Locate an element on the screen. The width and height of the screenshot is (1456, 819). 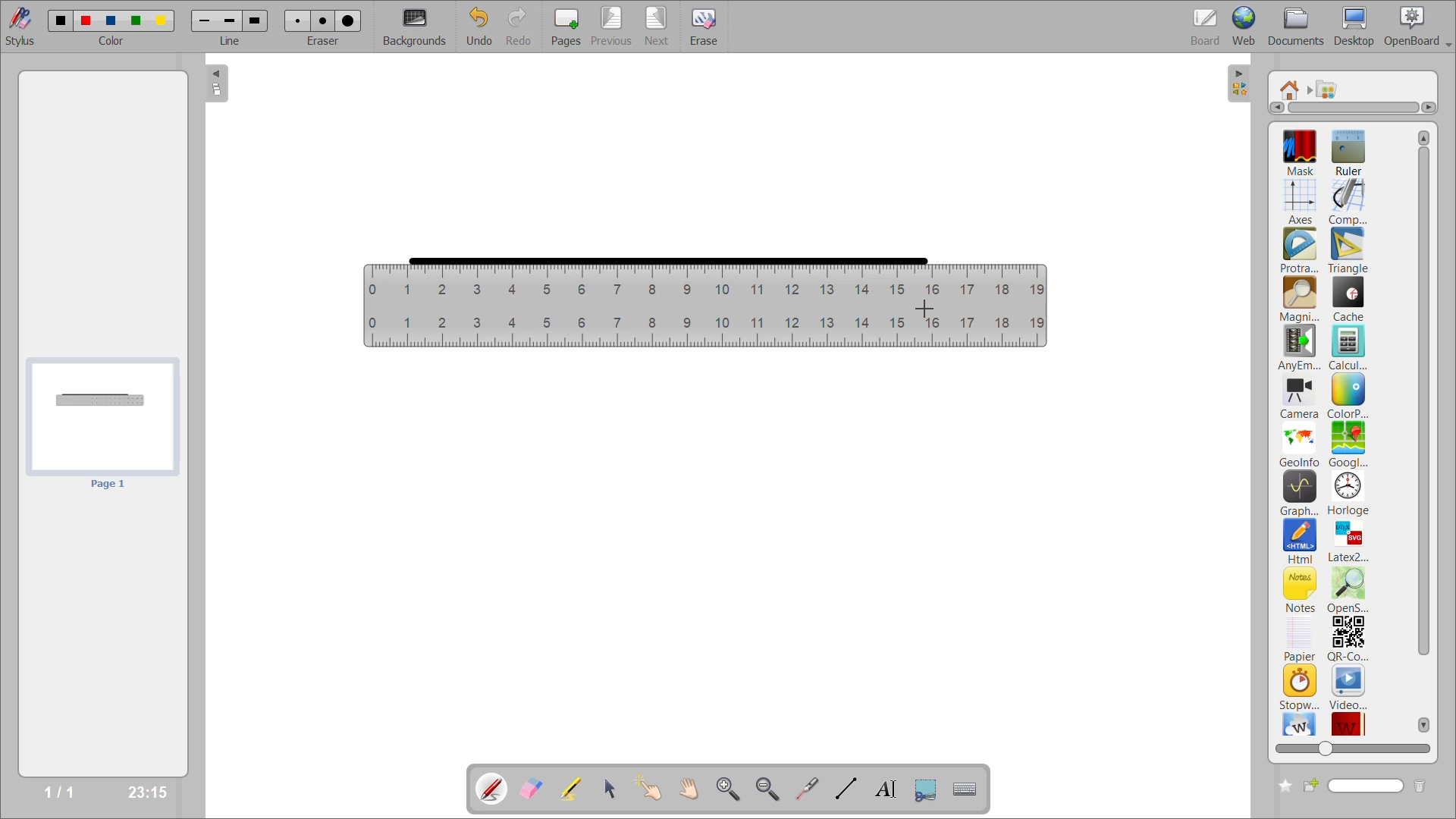
delete is located at coordinates (1420, 786).